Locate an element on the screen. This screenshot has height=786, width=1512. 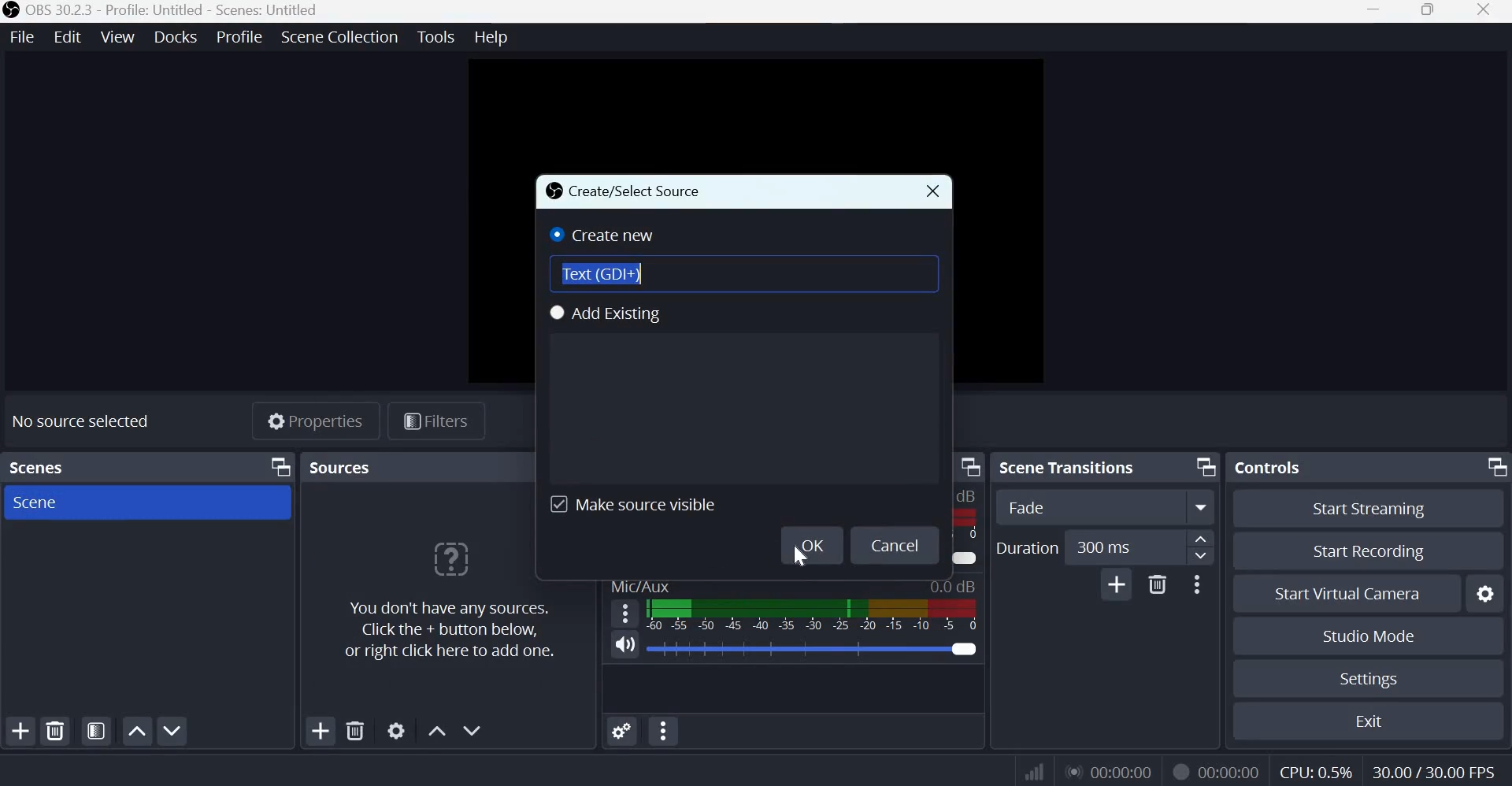
Start streaming is located at coordinates (1369, 509).